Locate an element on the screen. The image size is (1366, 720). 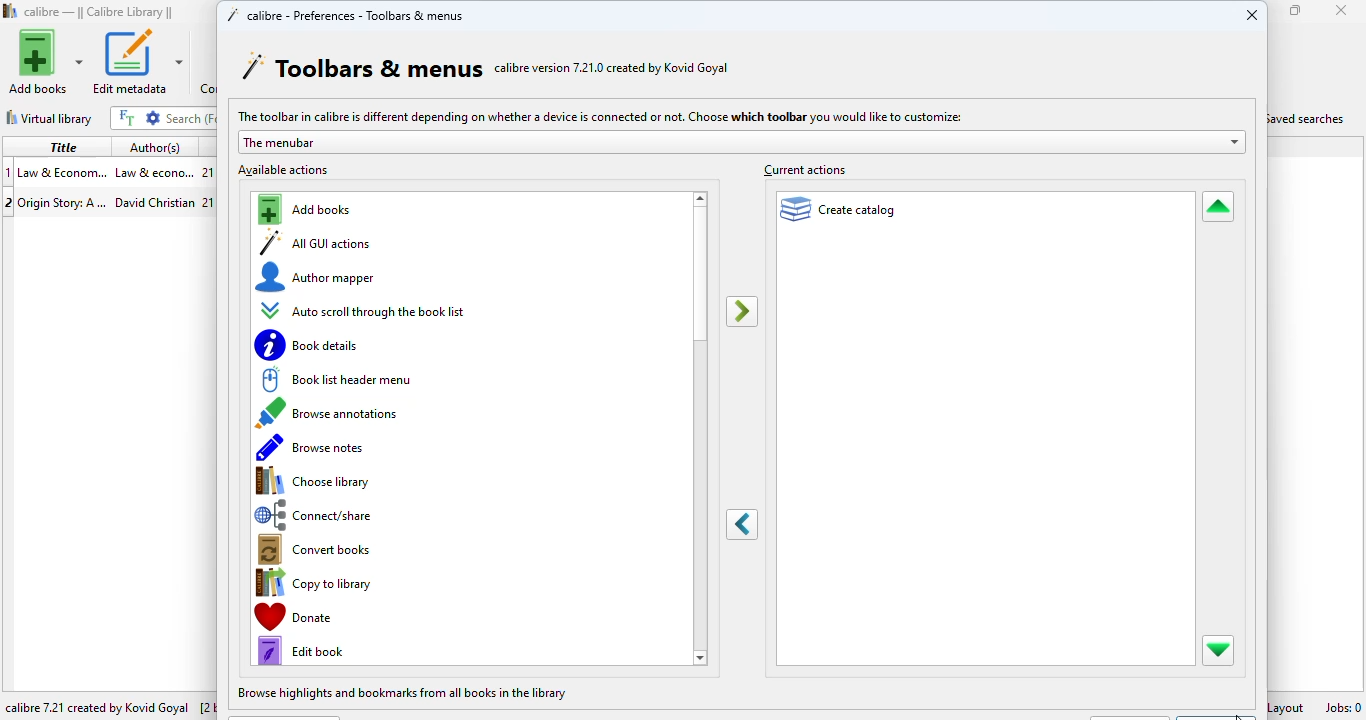
maximize is located at coordinates (1296, 10).